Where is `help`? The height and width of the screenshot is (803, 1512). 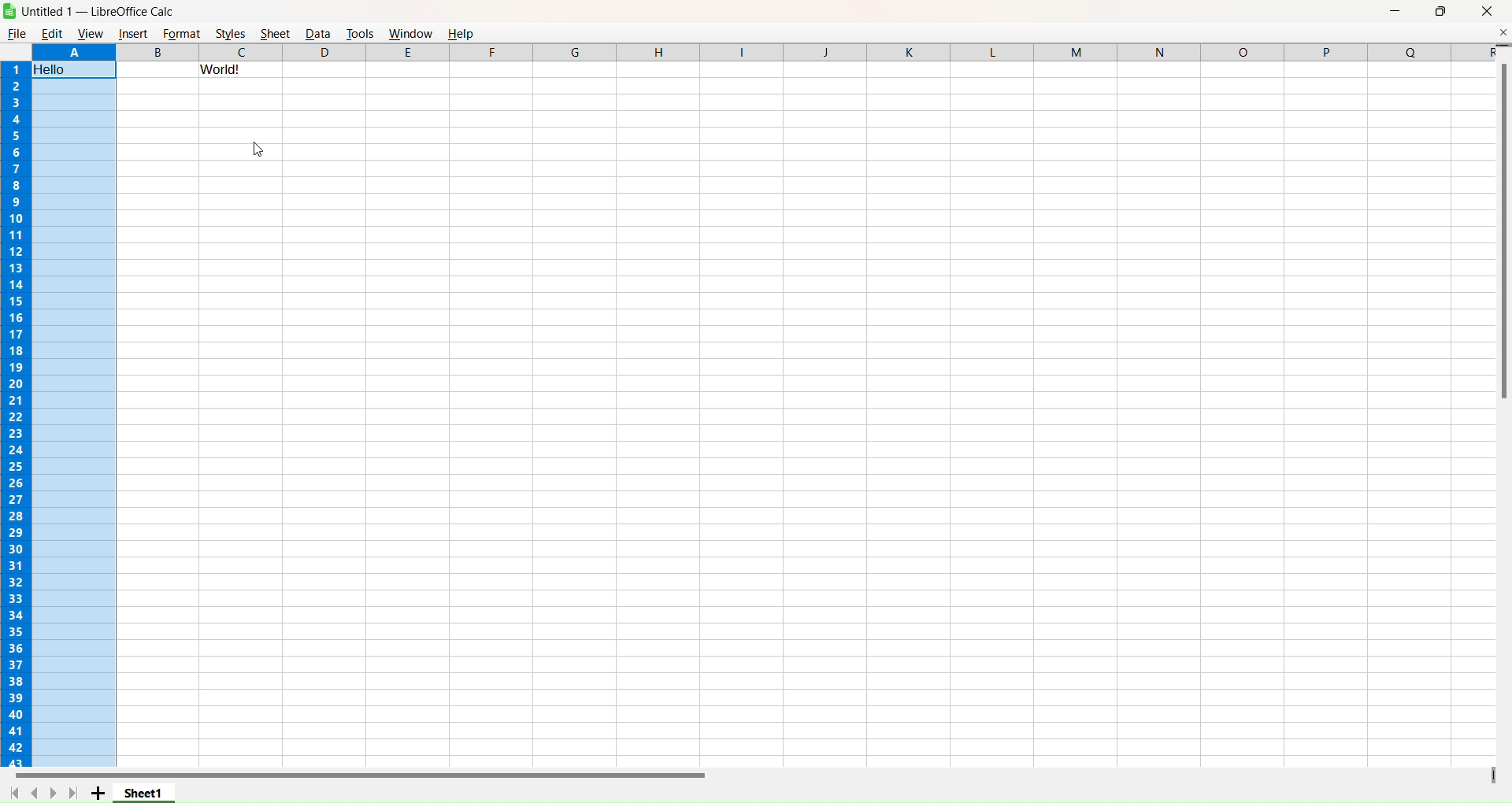
help is located at coordinates (464, 32).